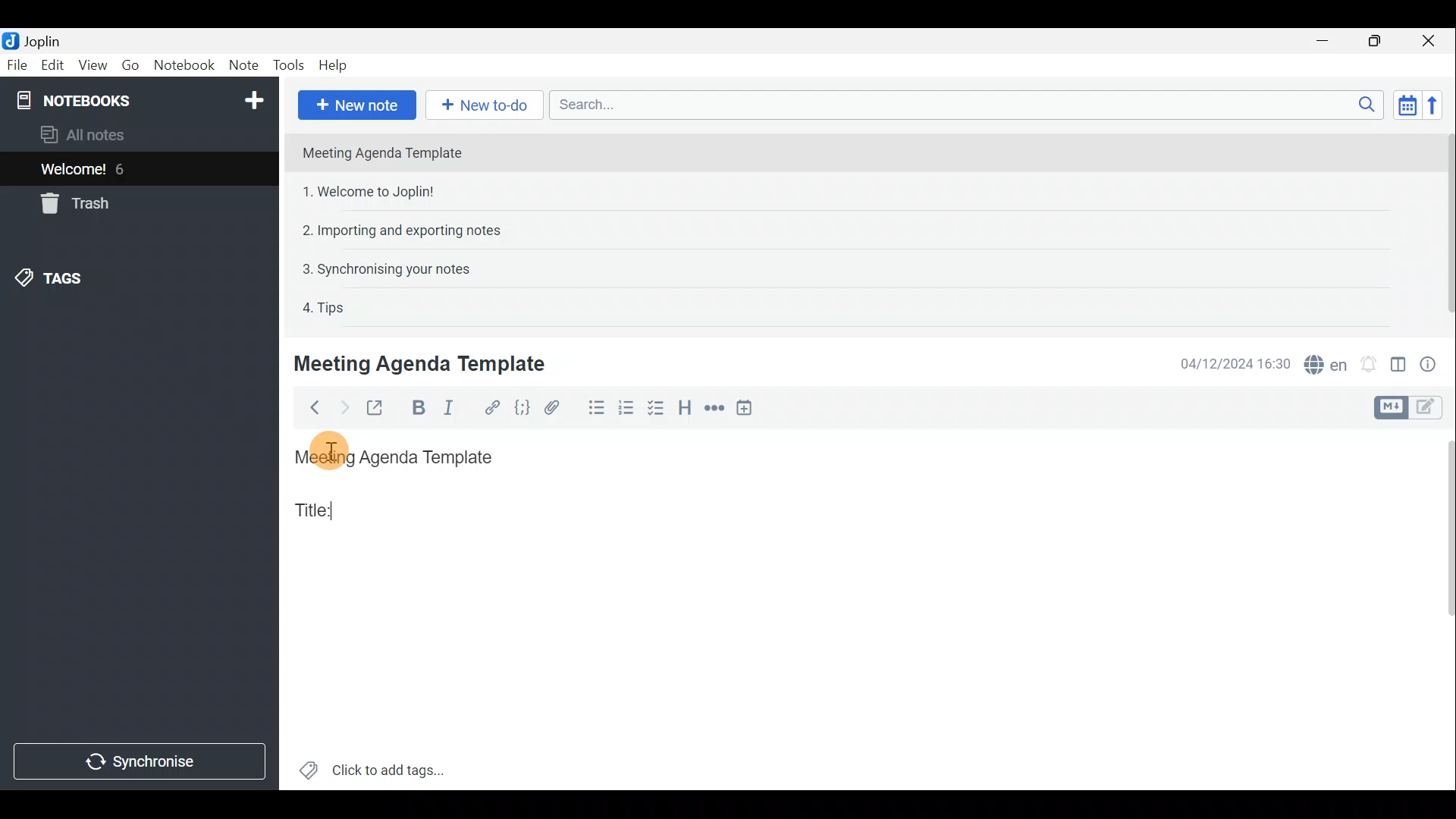 The width and height of the screenshot is (1456, 819). I want to click on Joplin, so click(42, 40).